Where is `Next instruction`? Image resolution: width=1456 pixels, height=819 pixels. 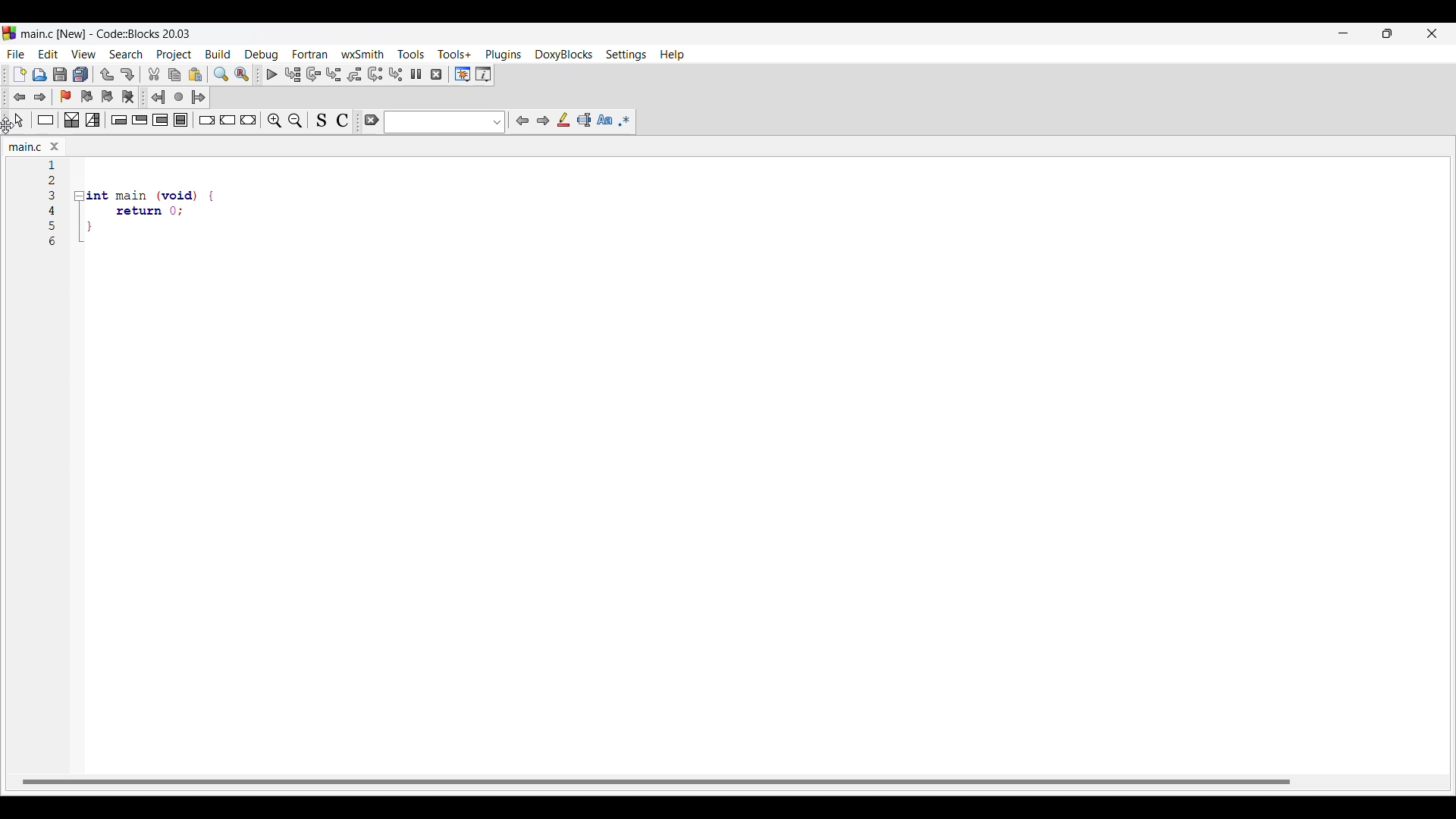
Next instruction is located at coordinates (375, 74).